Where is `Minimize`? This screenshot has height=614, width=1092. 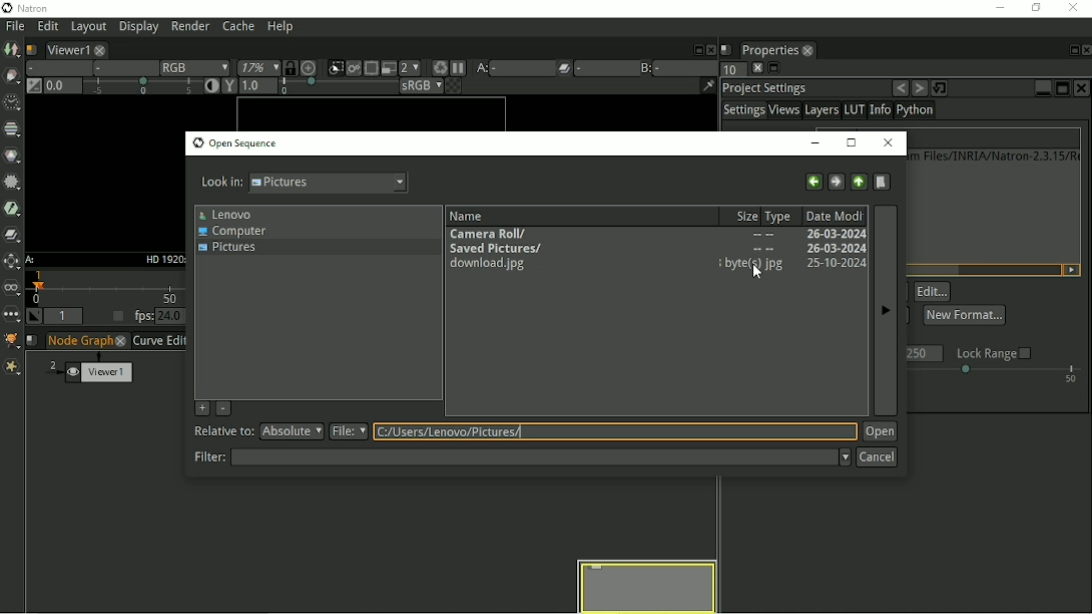 Minimize is located at coordinates (997, 7).